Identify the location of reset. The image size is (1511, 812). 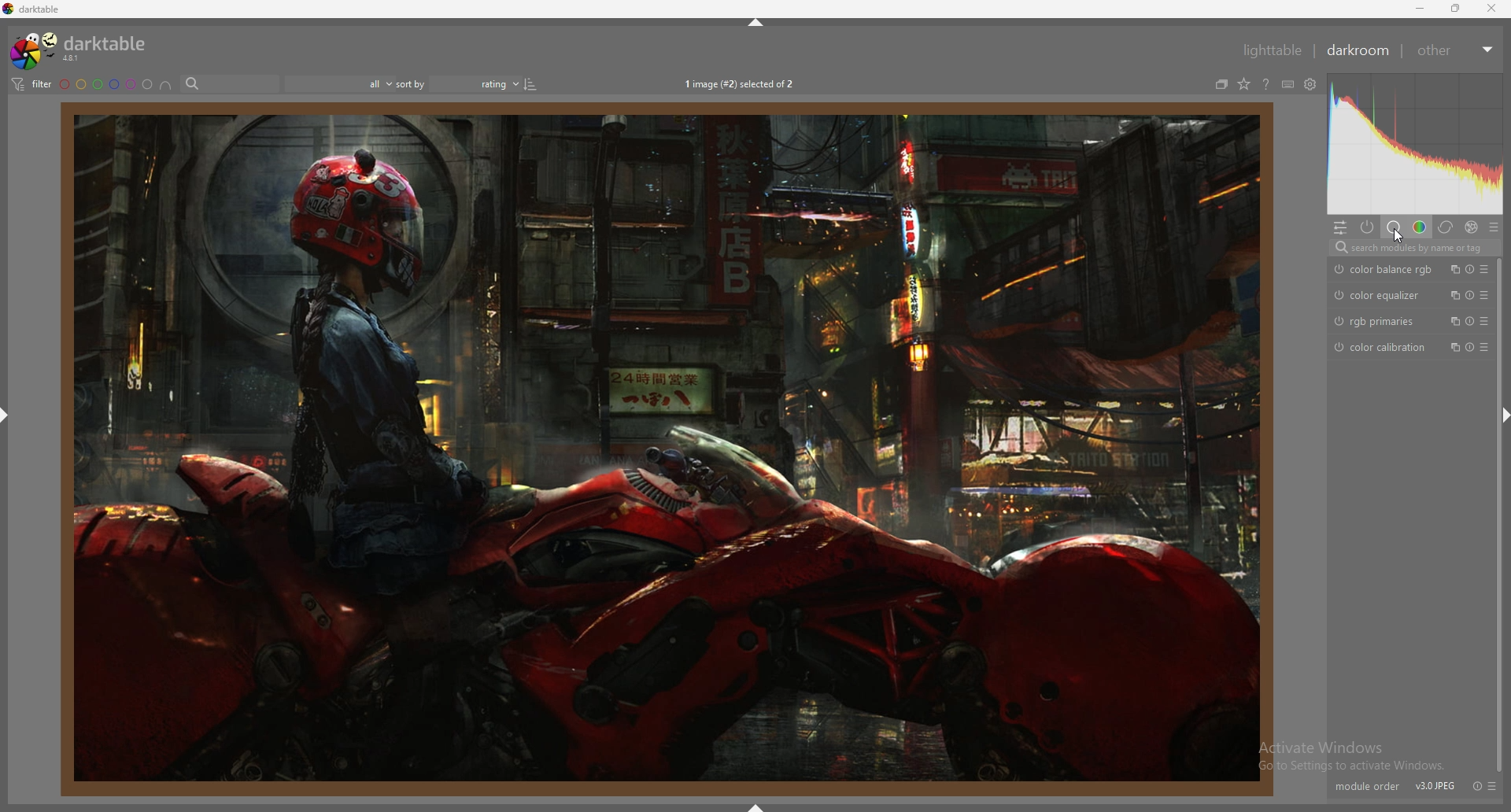
(1470, 269).